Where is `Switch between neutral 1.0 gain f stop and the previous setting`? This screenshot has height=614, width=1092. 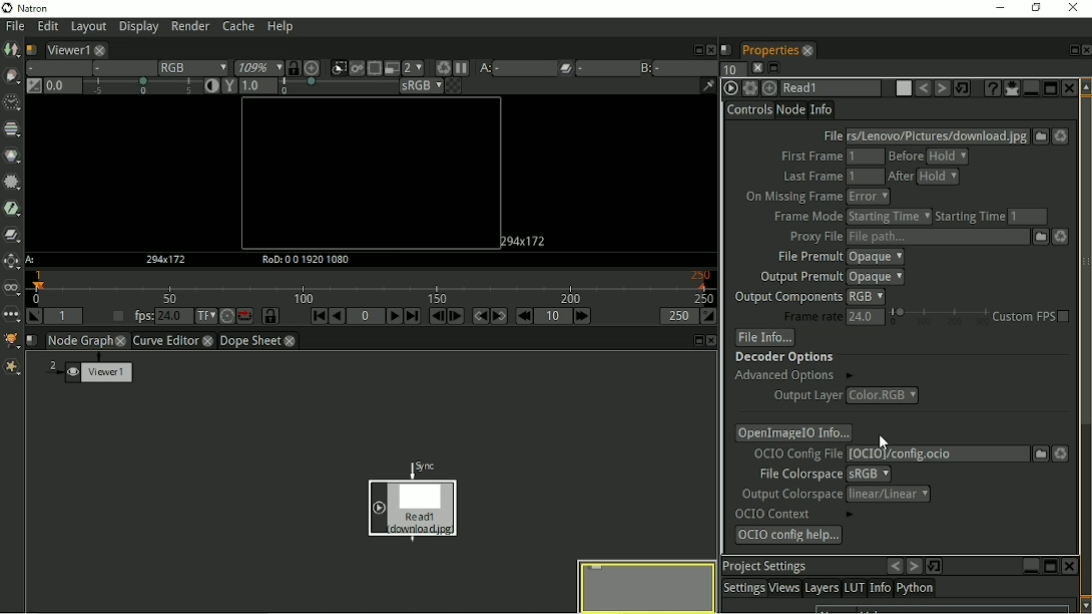 Switch between neutral 1.0 gain f stop and the previous setting is located at coordinates (32, 87).